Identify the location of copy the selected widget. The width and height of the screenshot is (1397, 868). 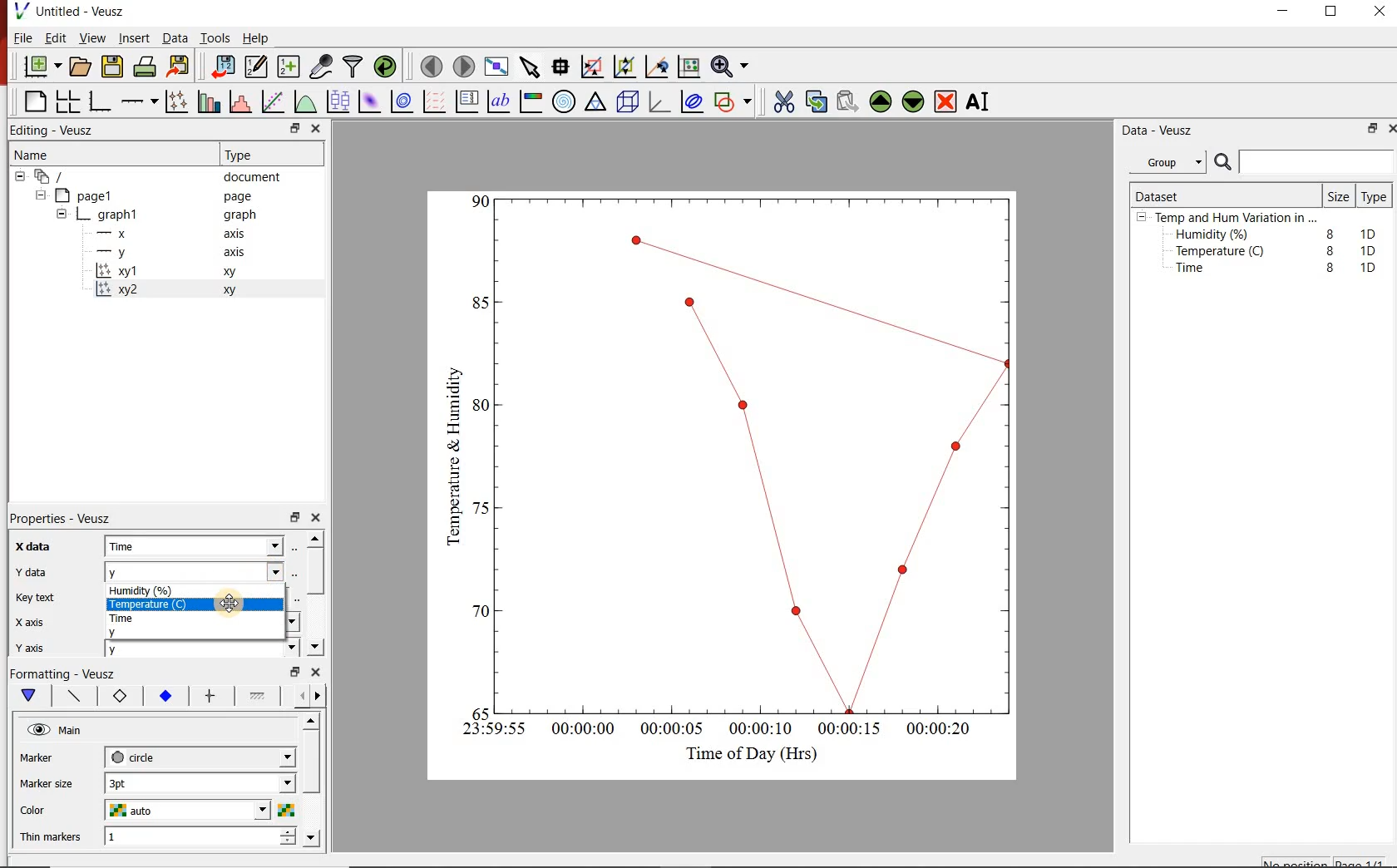
(816, 101).